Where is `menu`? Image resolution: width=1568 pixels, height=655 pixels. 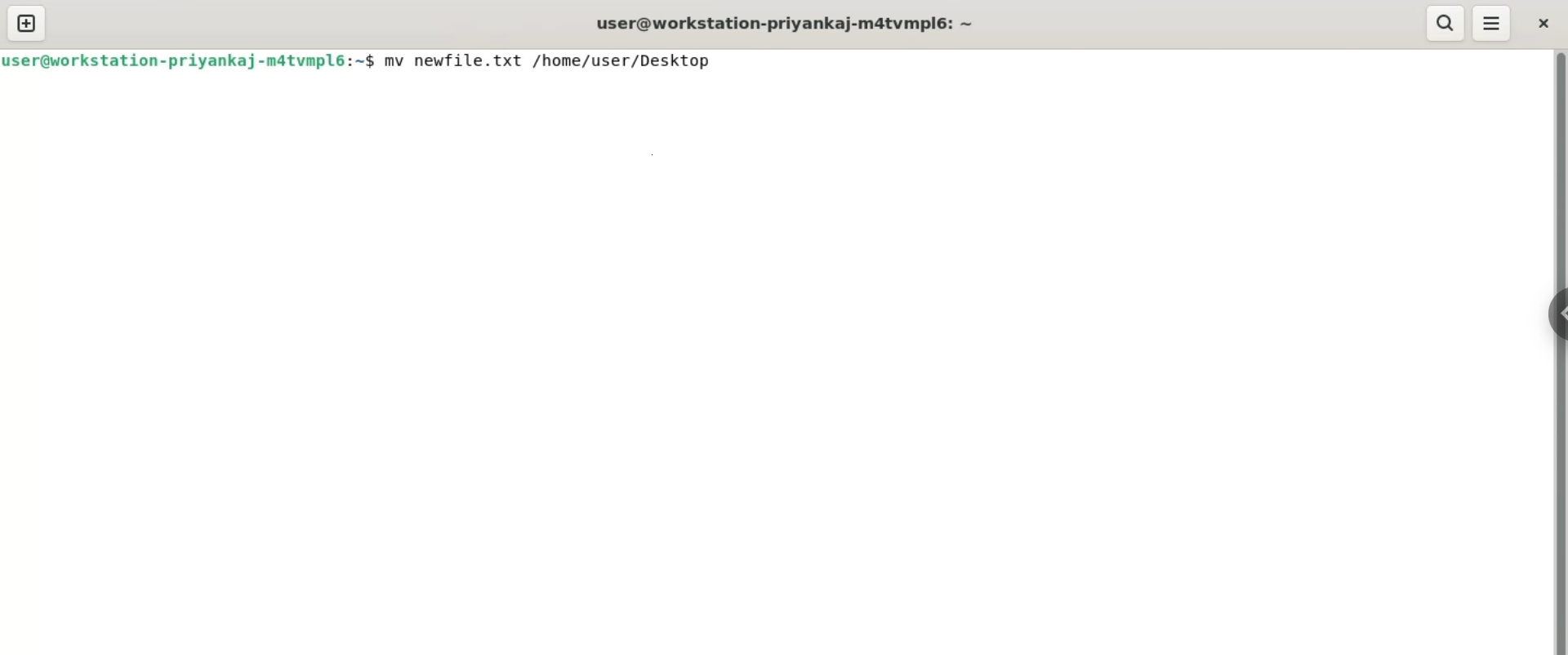
menu is located at coordinates (1494, 25).